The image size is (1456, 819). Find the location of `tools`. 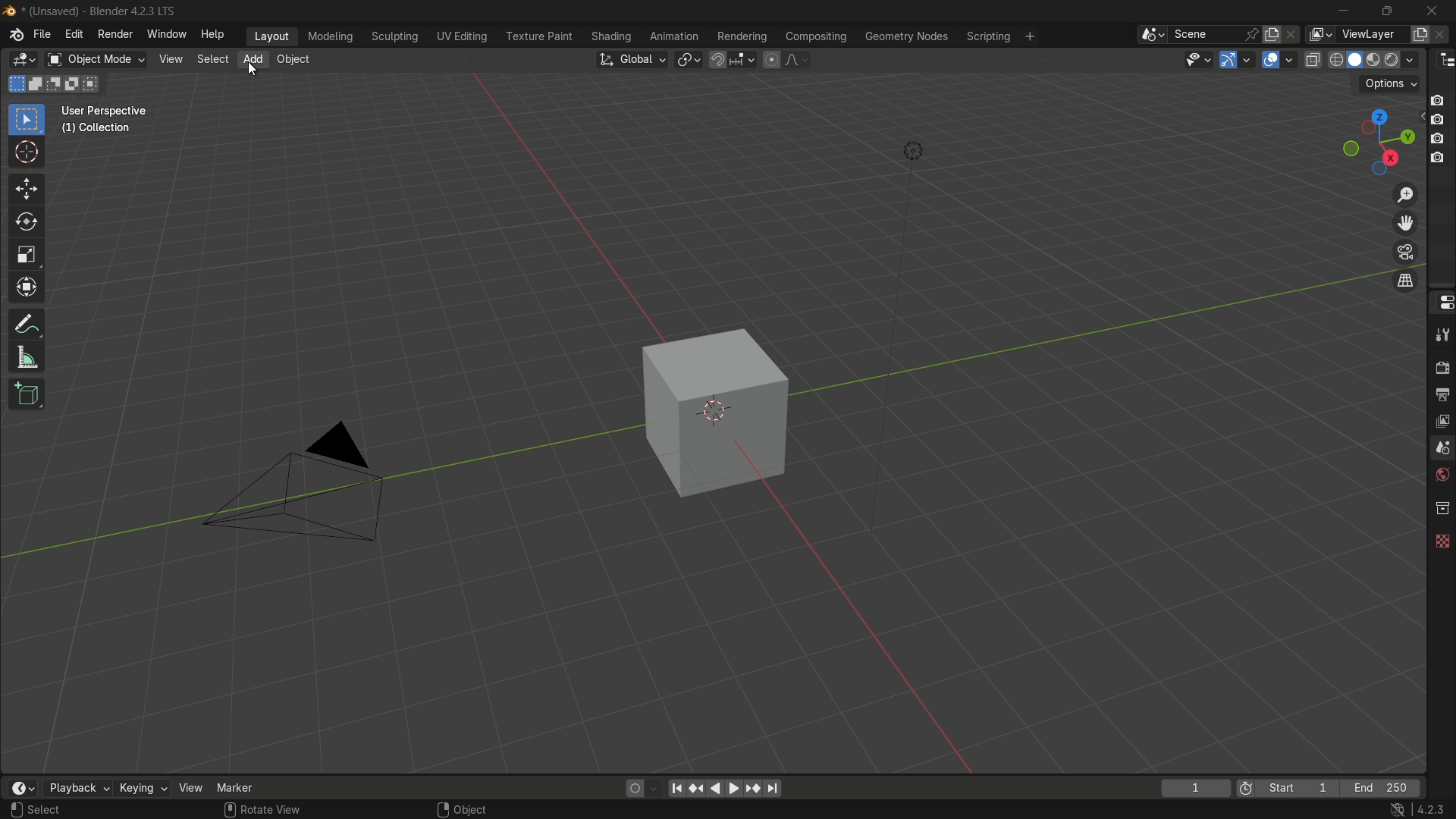

tools is located at coordinates (1441, 332).